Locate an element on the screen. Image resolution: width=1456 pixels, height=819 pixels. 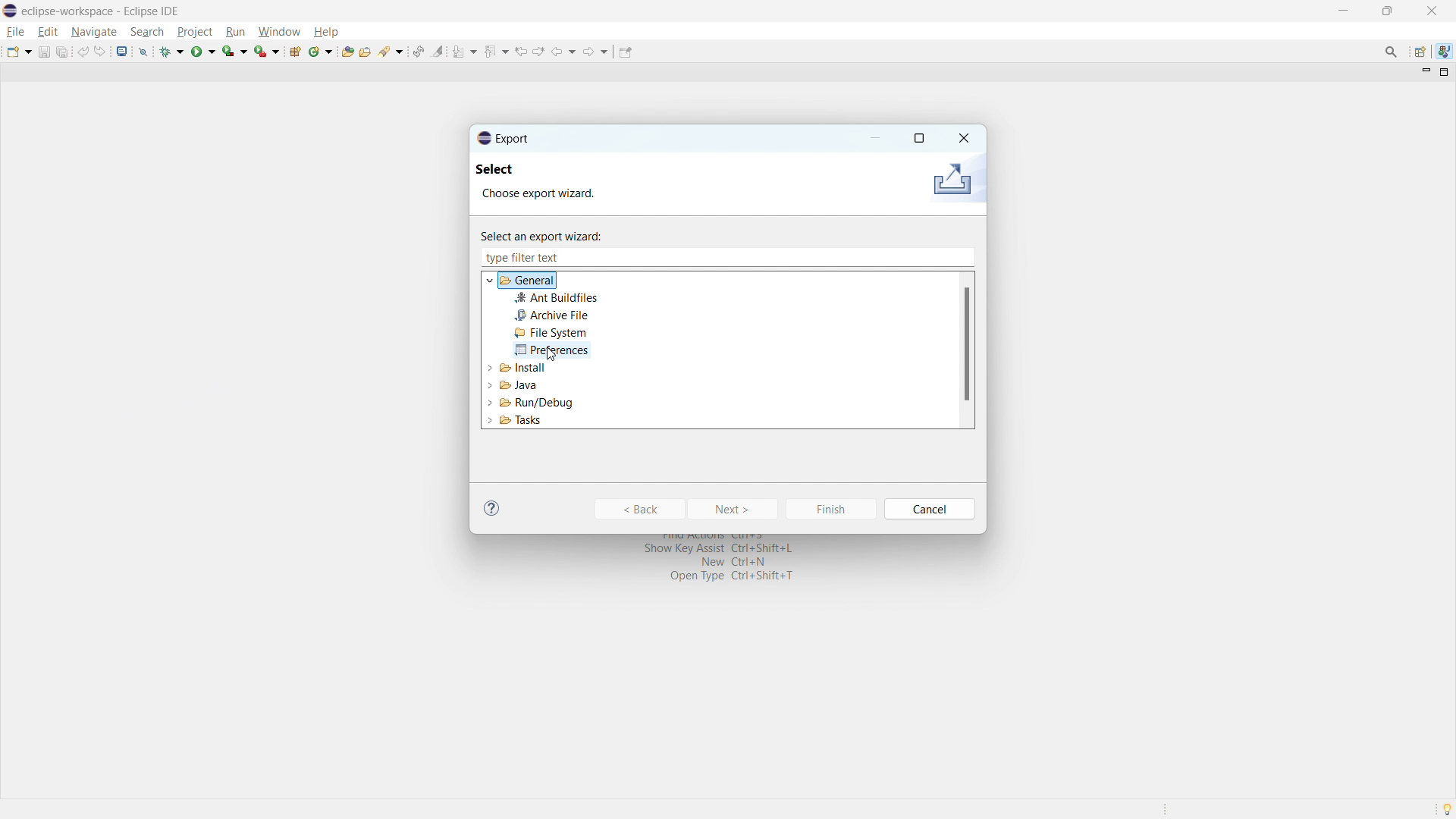
preferences is located at coordinates (551, 350).